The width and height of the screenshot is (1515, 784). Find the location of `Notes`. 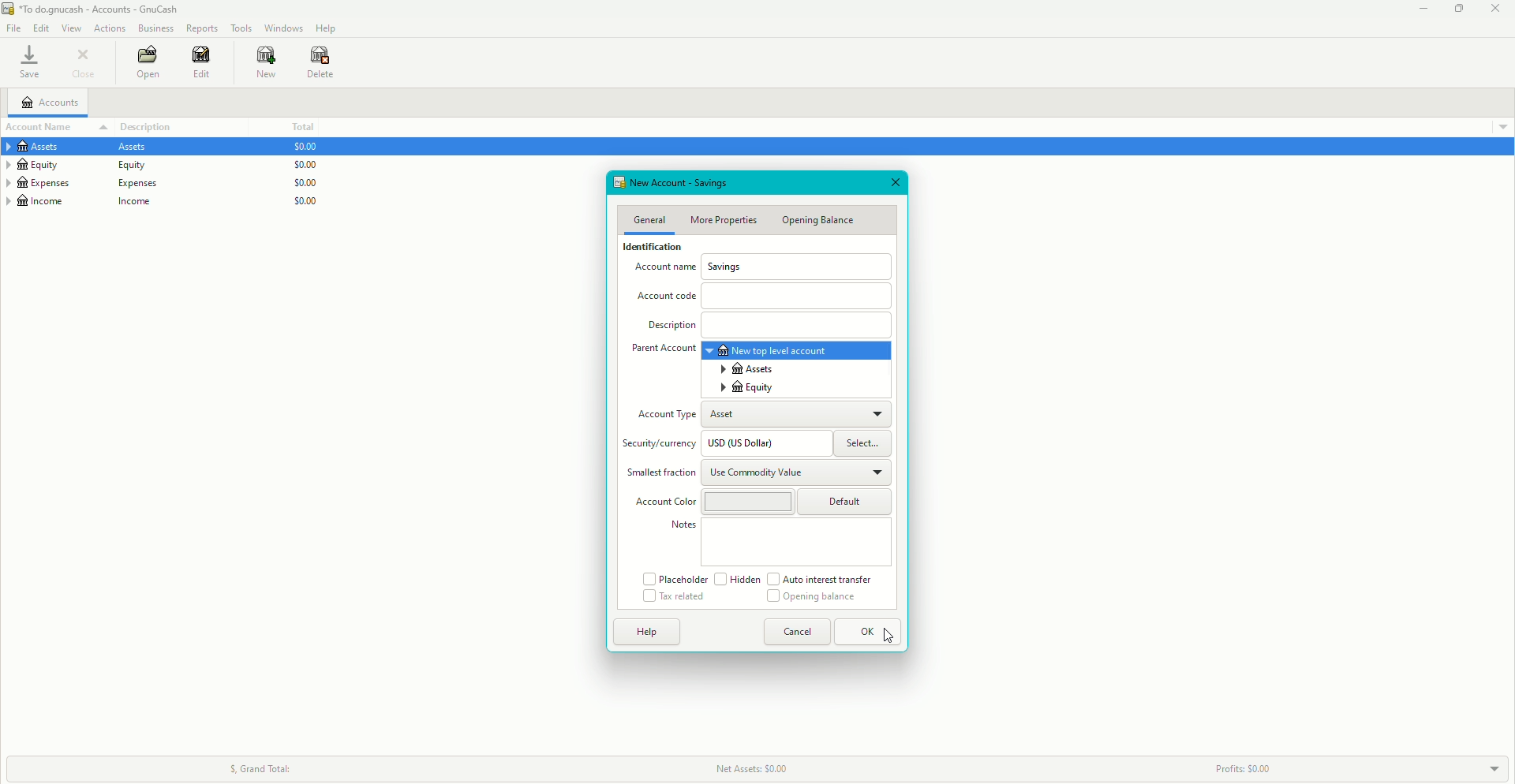

Notes is located at coordinates (683, 525).